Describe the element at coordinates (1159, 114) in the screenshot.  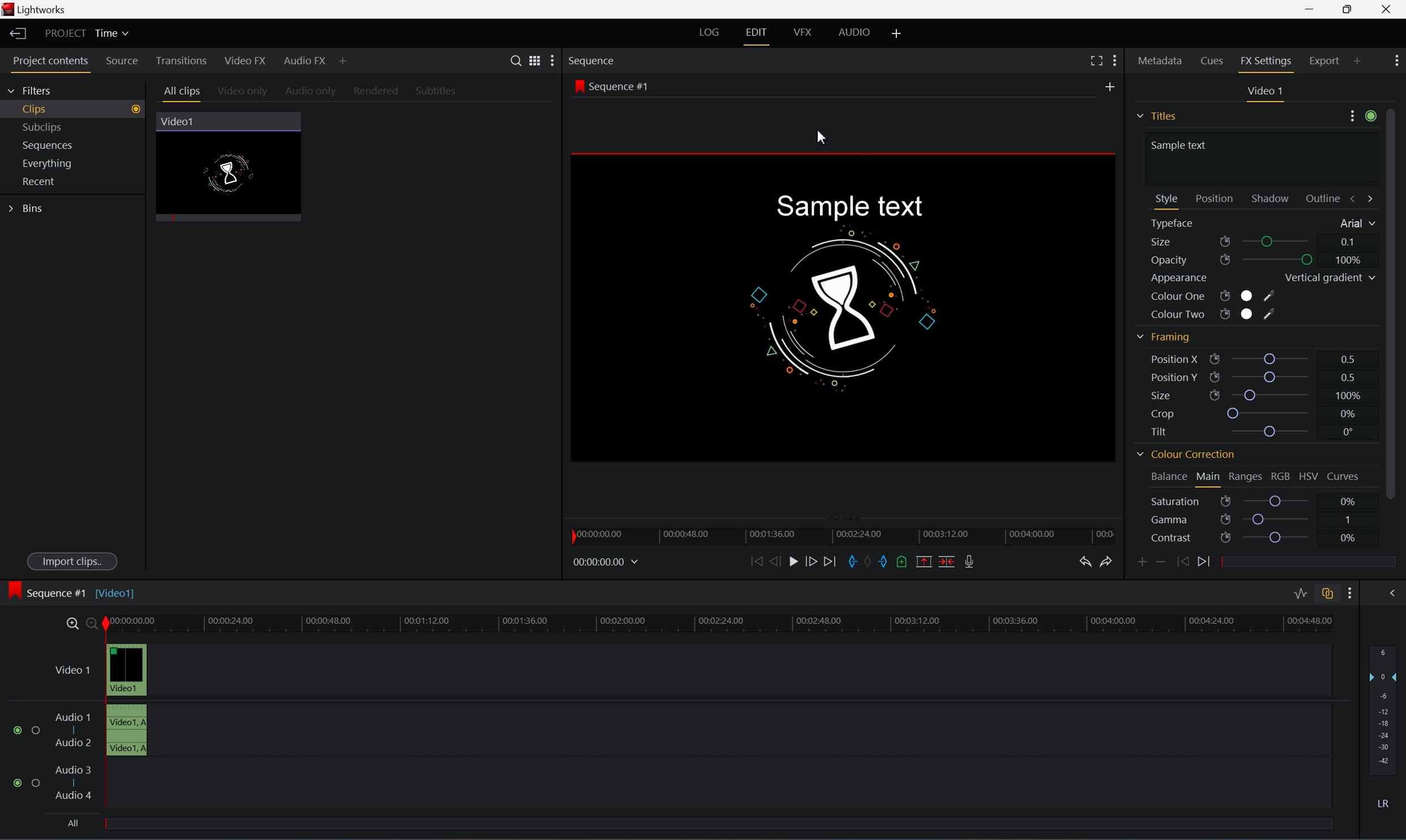
I see `Files` at that location.